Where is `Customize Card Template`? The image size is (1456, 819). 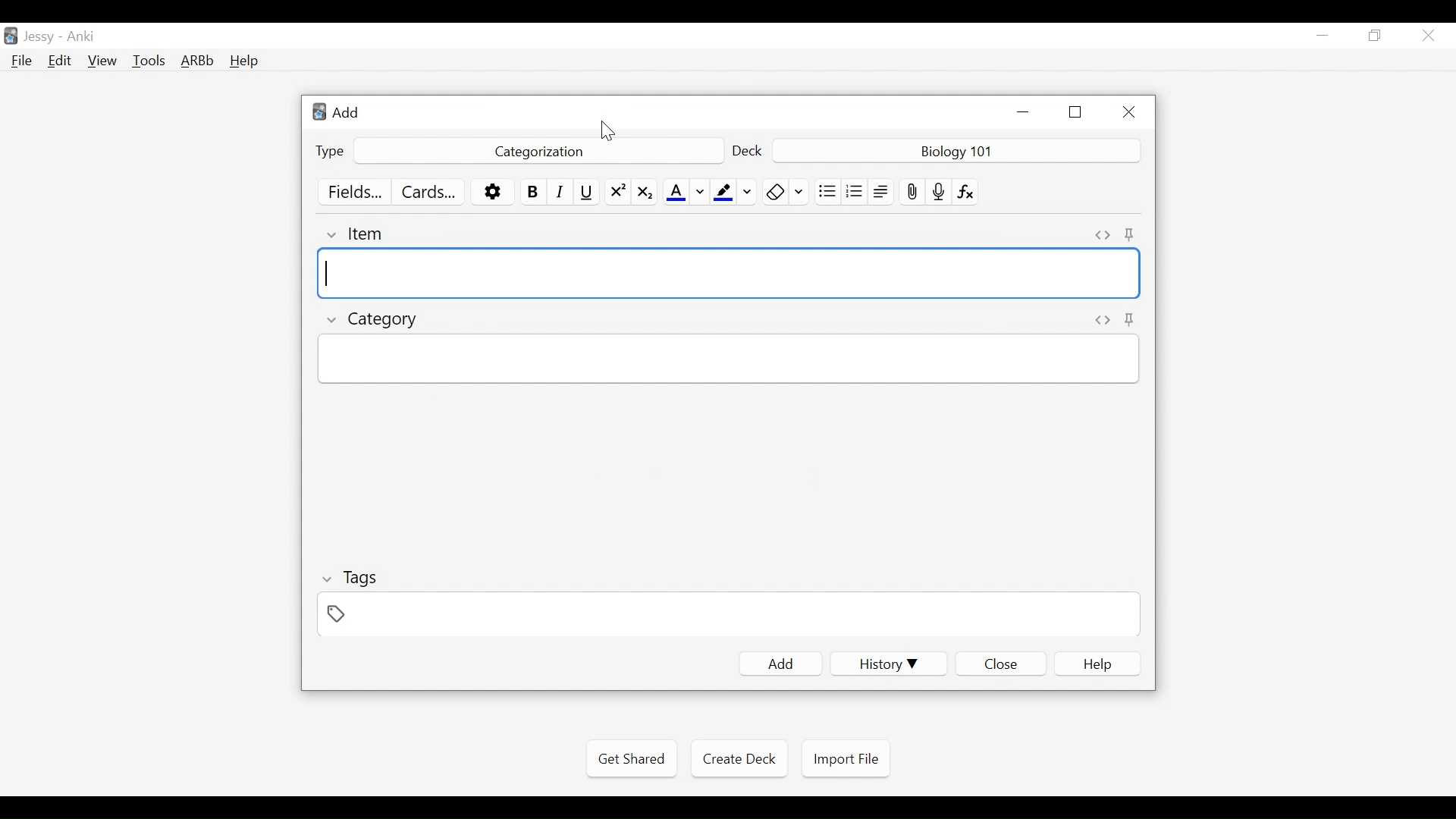
Customize Card Template is located at coordinates (427, 193).